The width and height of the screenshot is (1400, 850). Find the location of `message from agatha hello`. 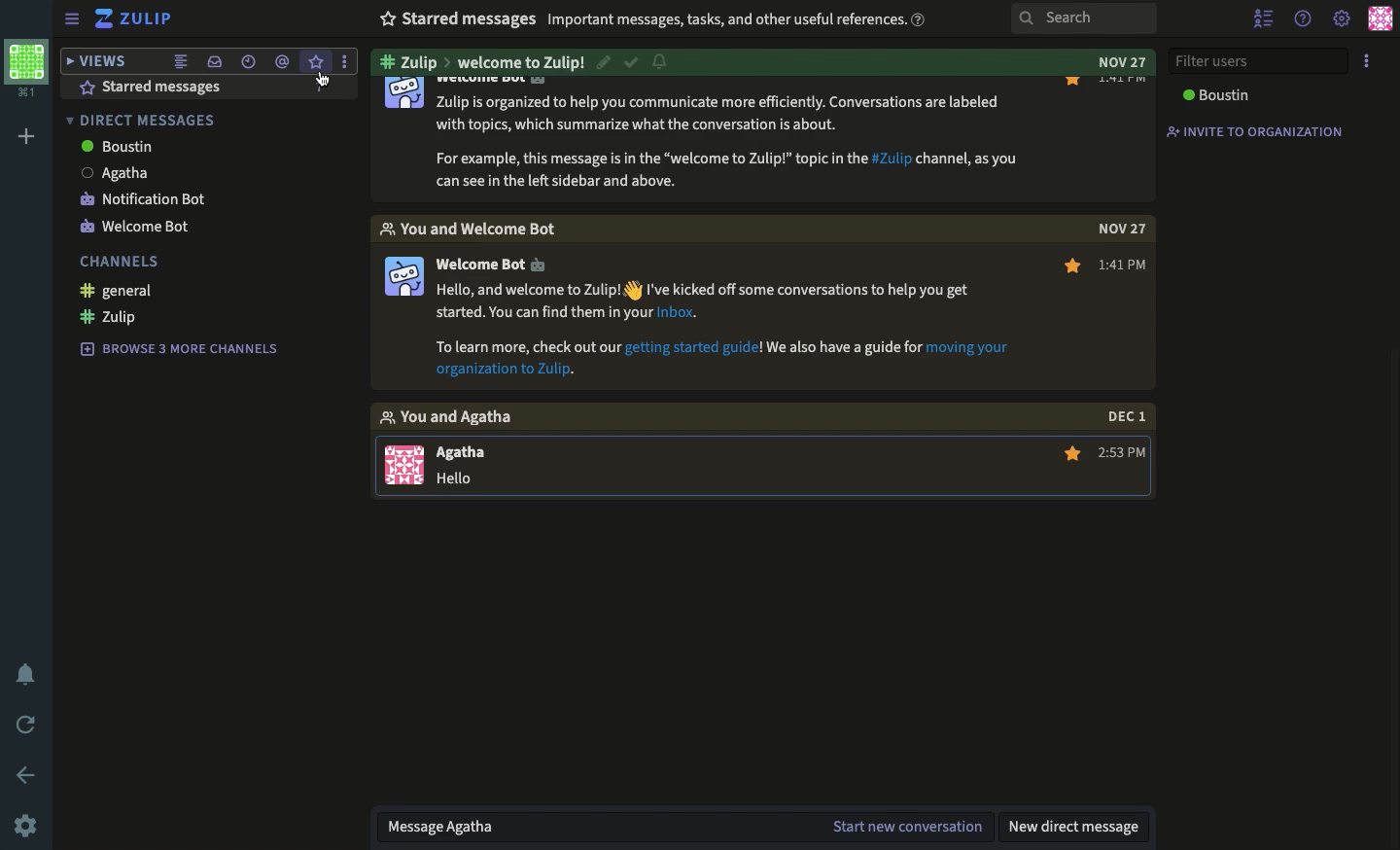

message from agatha hello is located at coordinates (447, 463).